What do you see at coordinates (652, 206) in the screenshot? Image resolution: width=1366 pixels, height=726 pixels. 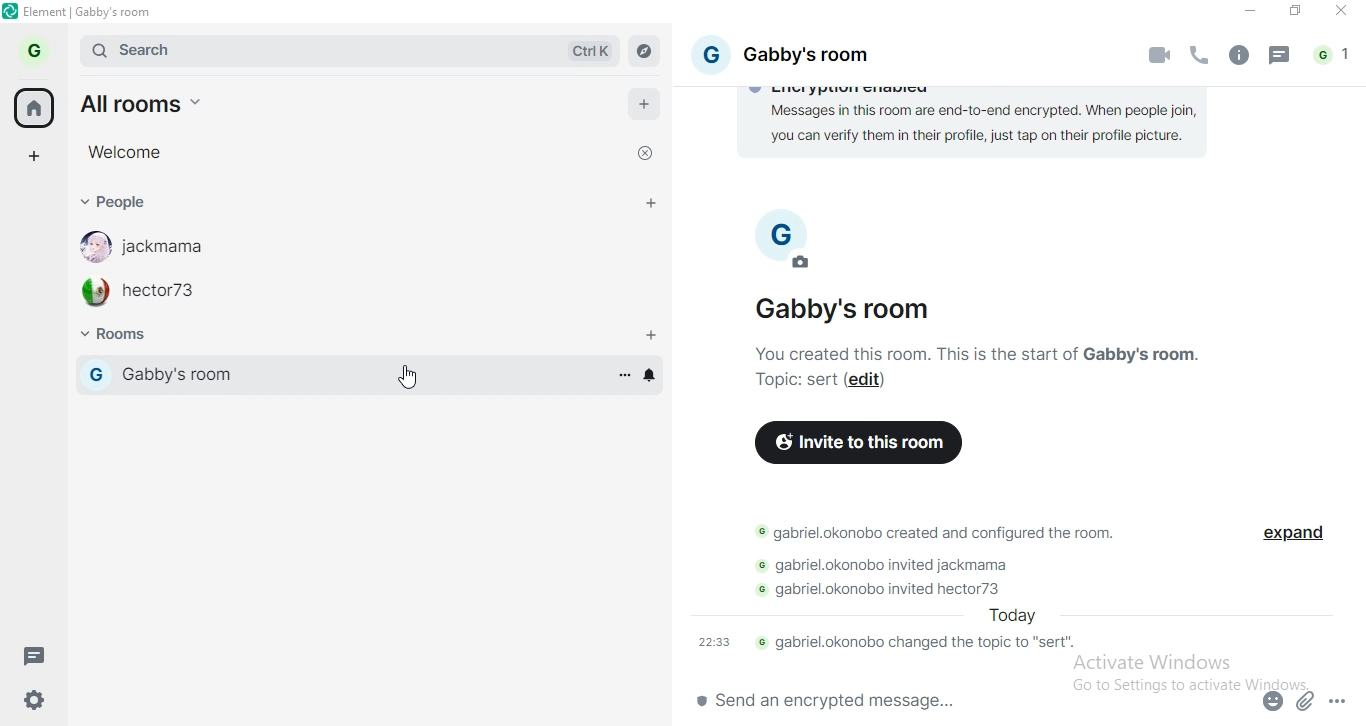 I see `add people` at bounding box center [652, 206].